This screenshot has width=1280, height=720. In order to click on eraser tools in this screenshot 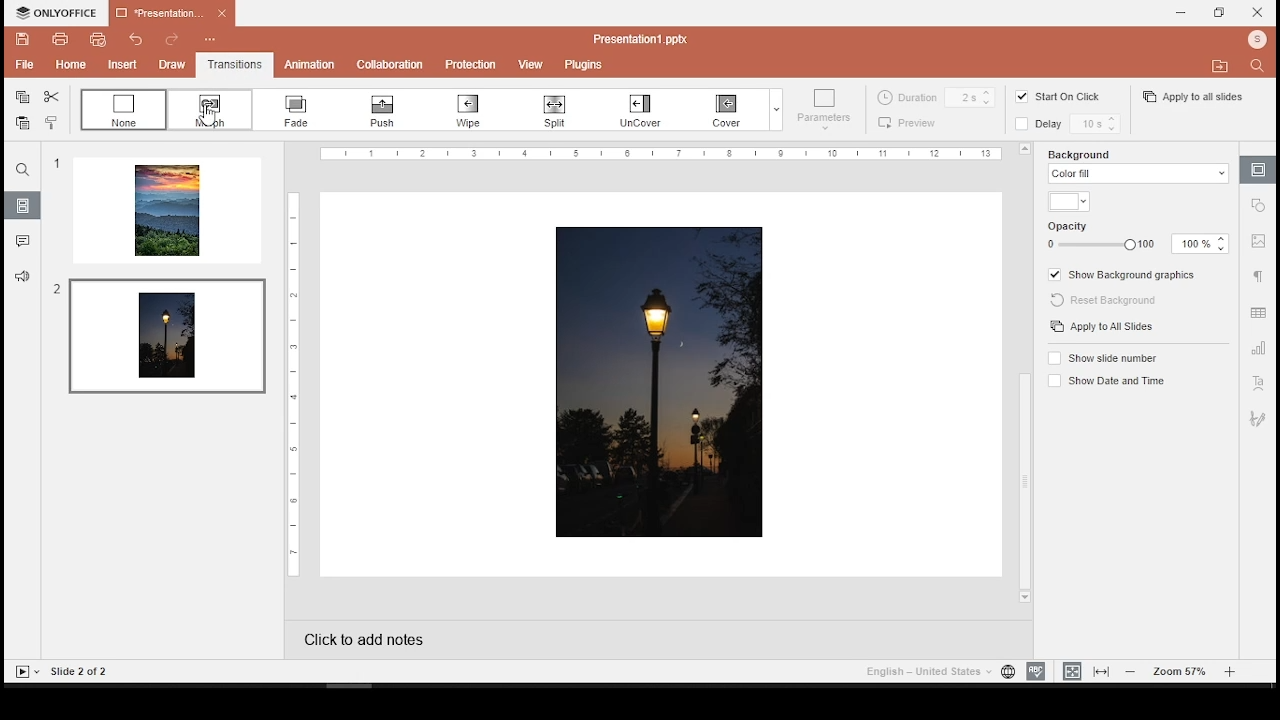, I will do `click(389, 111)`.